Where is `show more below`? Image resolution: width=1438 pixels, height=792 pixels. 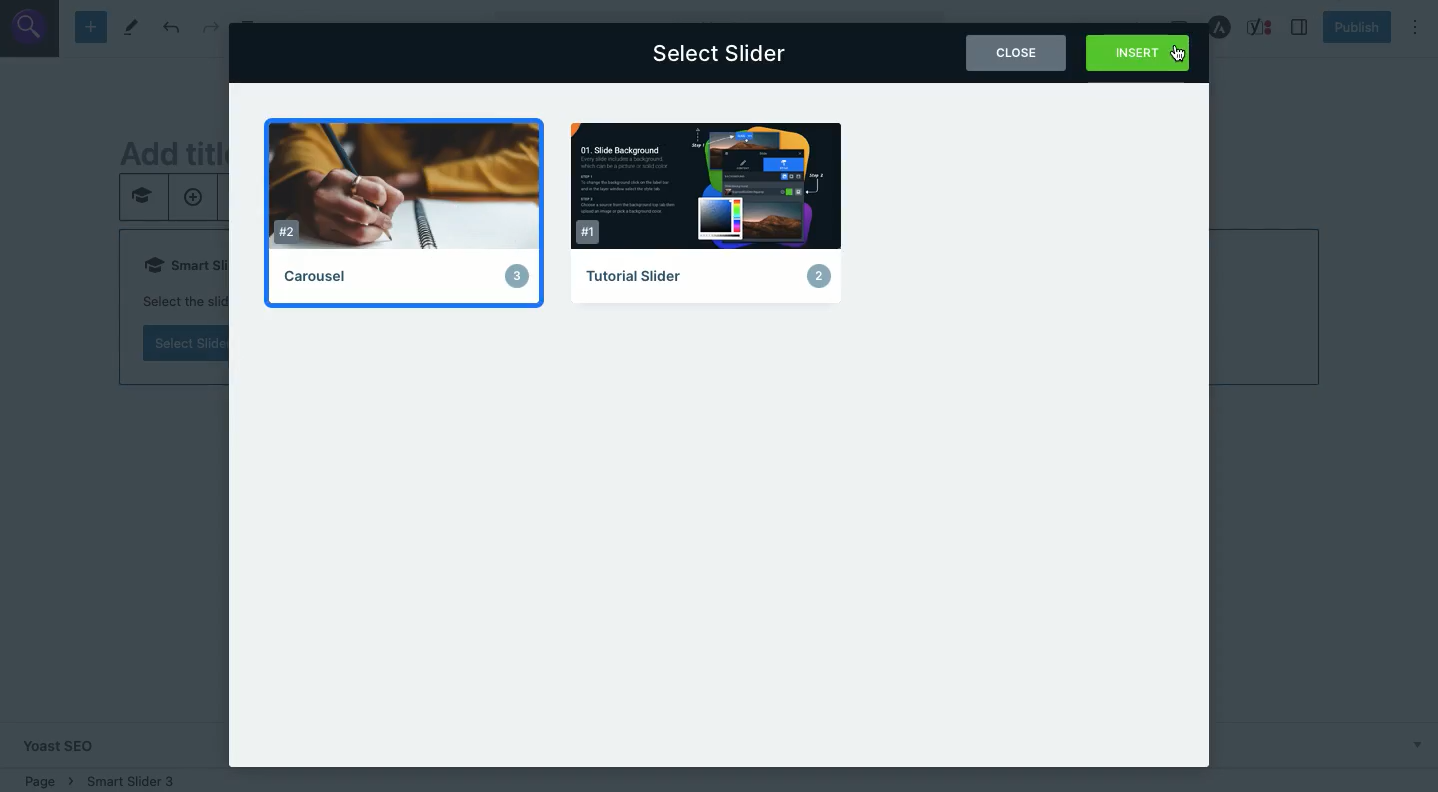
show more below is located at coordinates (1416, 743).